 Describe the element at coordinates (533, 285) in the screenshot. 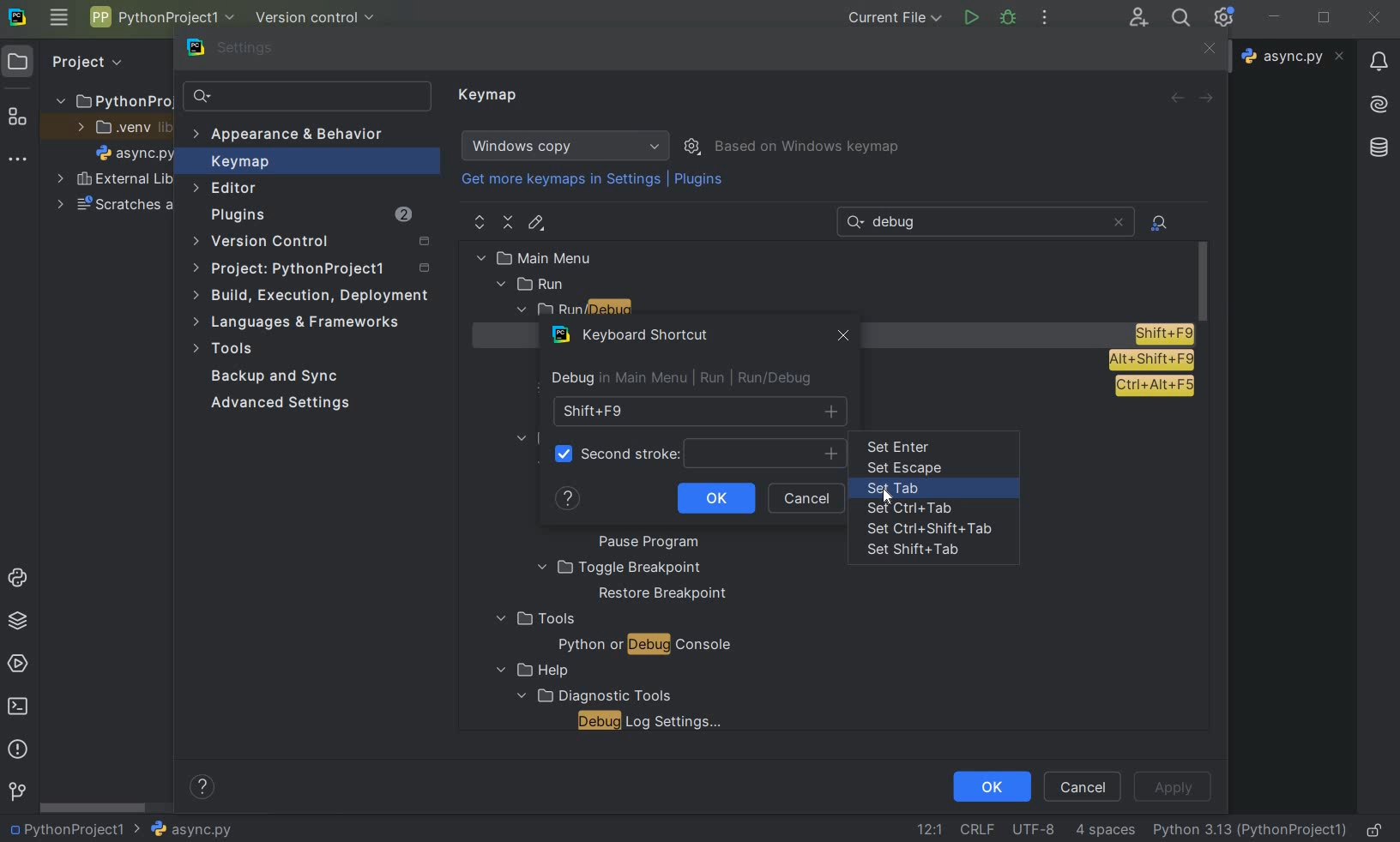

I see `run` at that location.